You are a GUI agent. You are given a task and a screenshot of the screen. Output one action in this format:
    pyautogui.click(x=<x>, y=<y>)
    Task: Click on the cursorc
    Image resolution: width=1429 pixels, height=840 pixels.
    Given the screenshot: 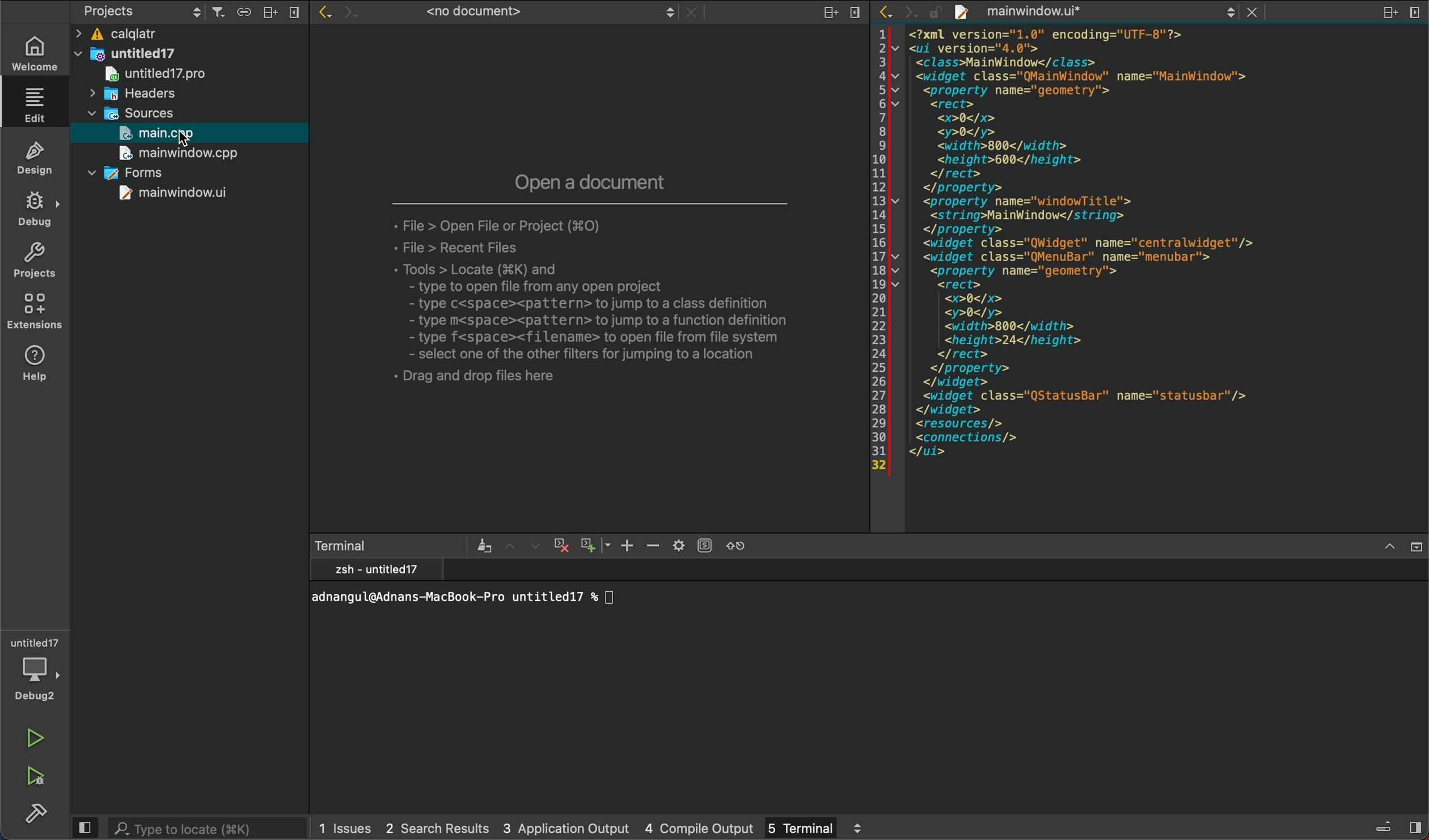 What is the action you would take?
    pyautogui.click(x=183, y=143)
    